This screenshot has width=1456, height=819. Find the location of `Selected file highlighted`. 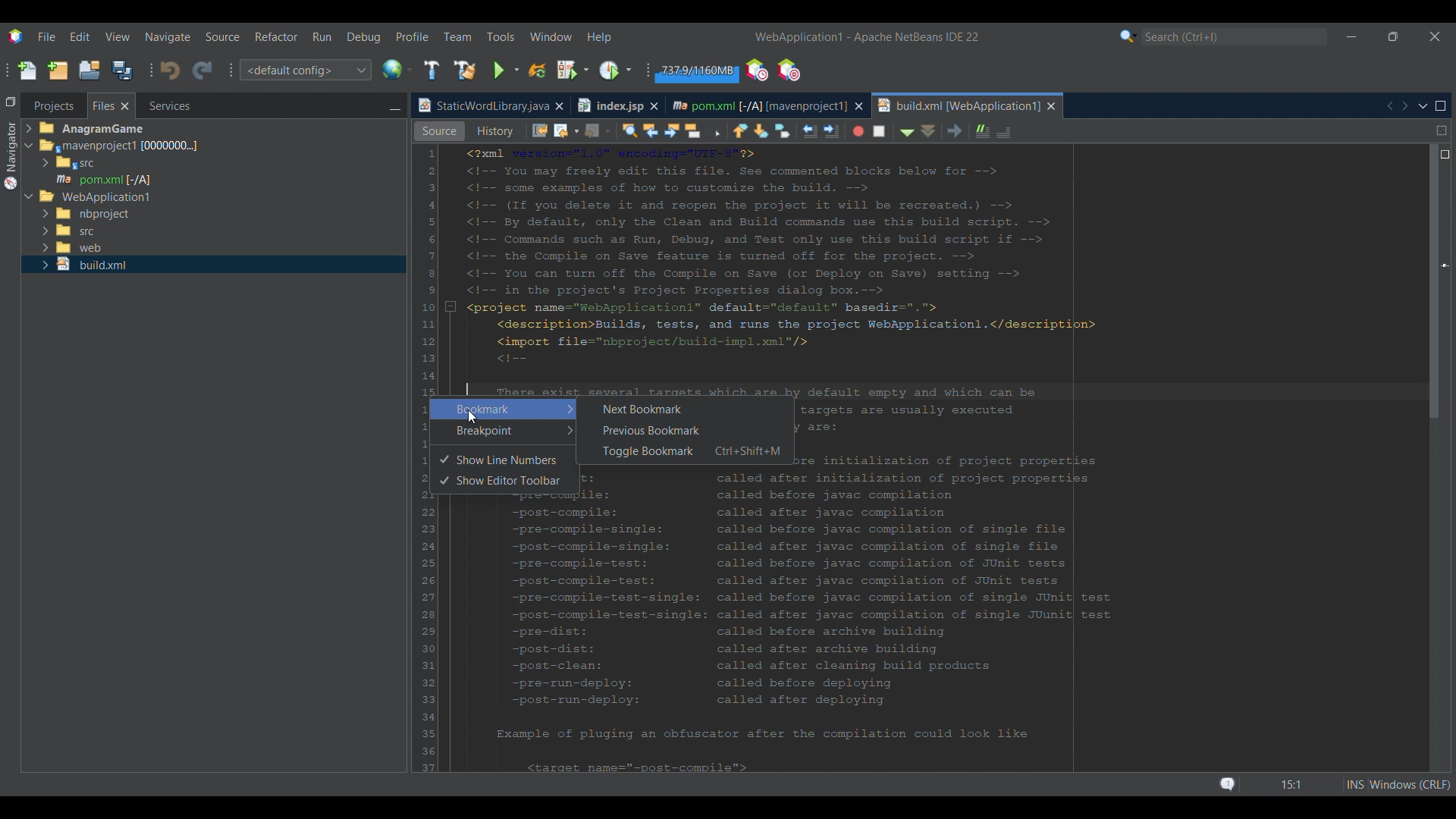

Selected file highlighted is located at coordinates (213, 265).